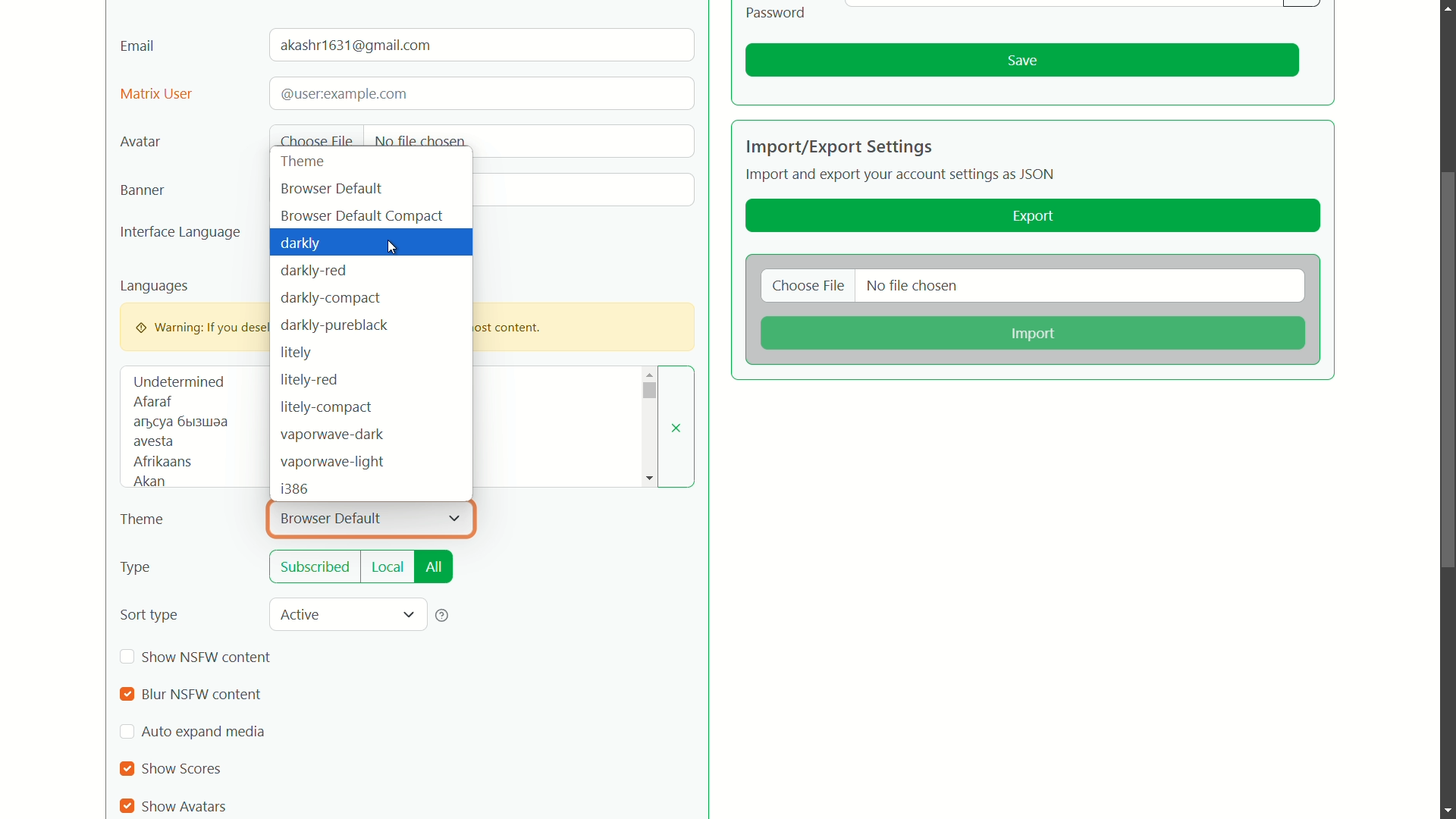 The width and height of the screenshot is (1456, 819). Describe the element at coordinates (143, 520) in the screenshot. I see `theme` at that location.